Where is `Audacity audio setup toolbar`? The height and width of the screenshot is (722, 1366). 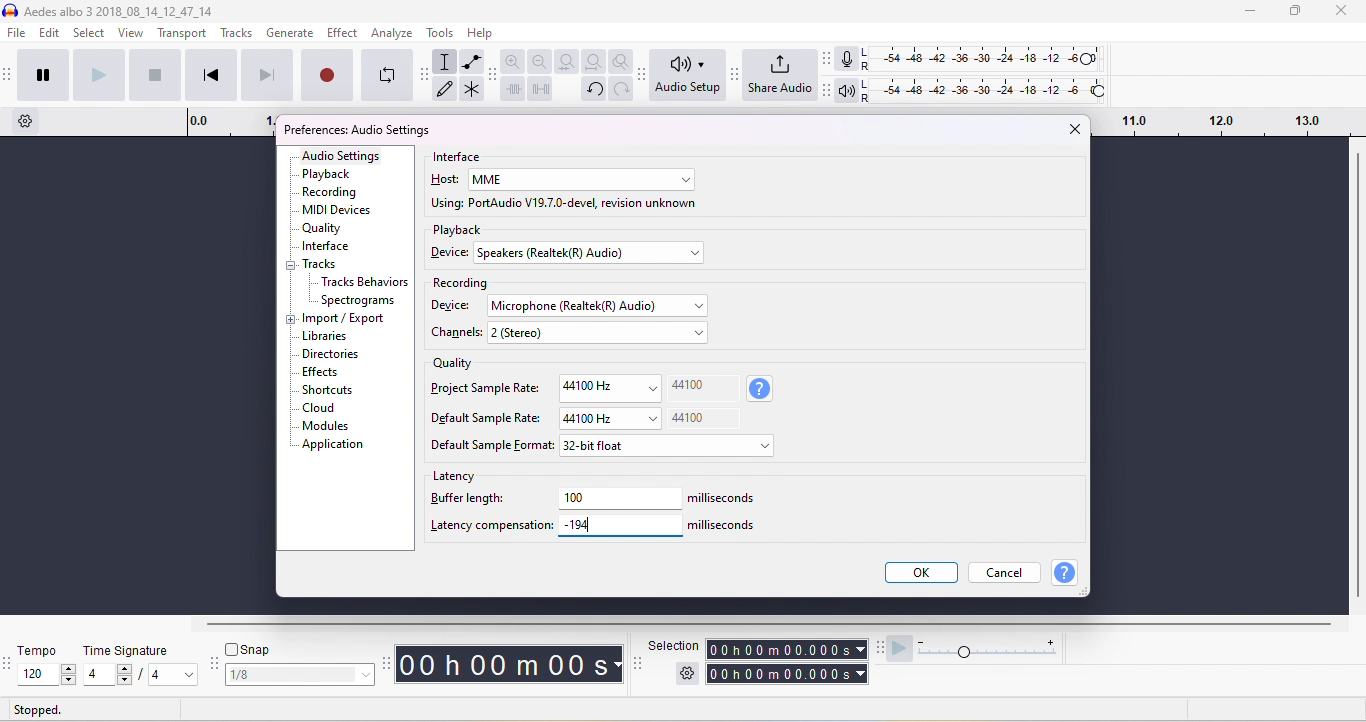
Audacity audio setup toolbar is located at coordinates (643, 75).